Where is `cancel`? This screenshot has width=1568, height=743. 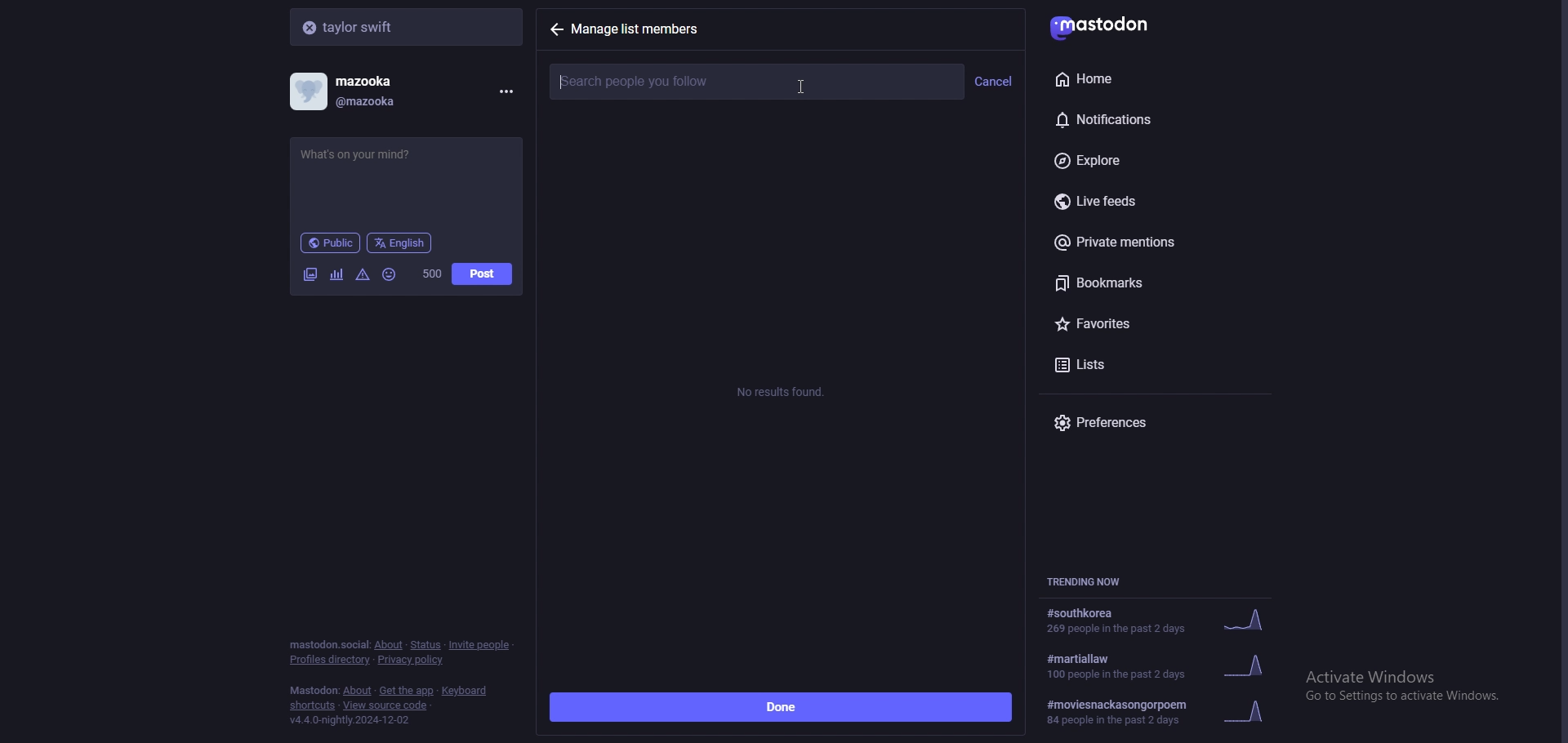 cancel is located at coordinates (994, 82).